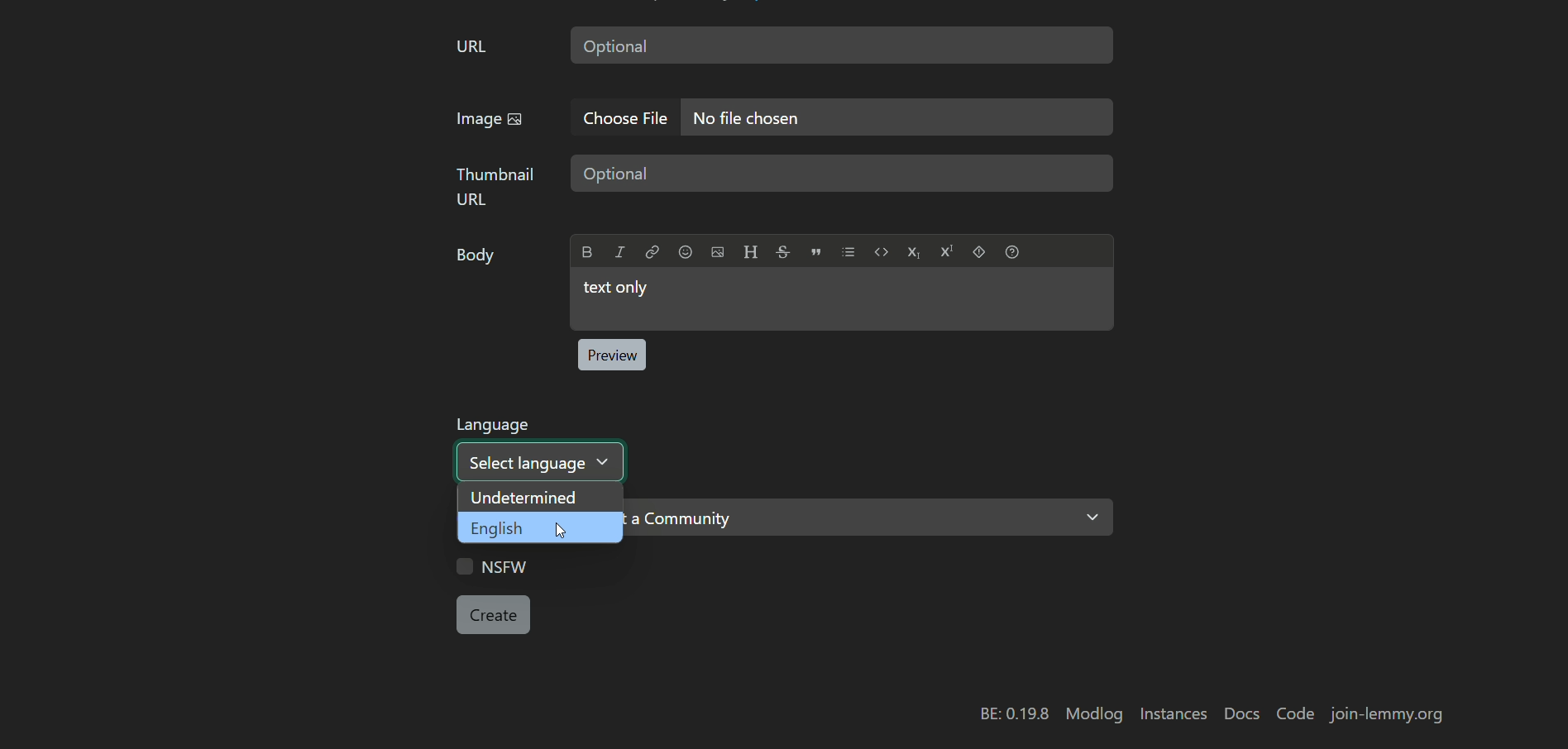 Image resolution: width=1568 pixels, height=749 pixels. I want to click on URL, so click(471, 48).